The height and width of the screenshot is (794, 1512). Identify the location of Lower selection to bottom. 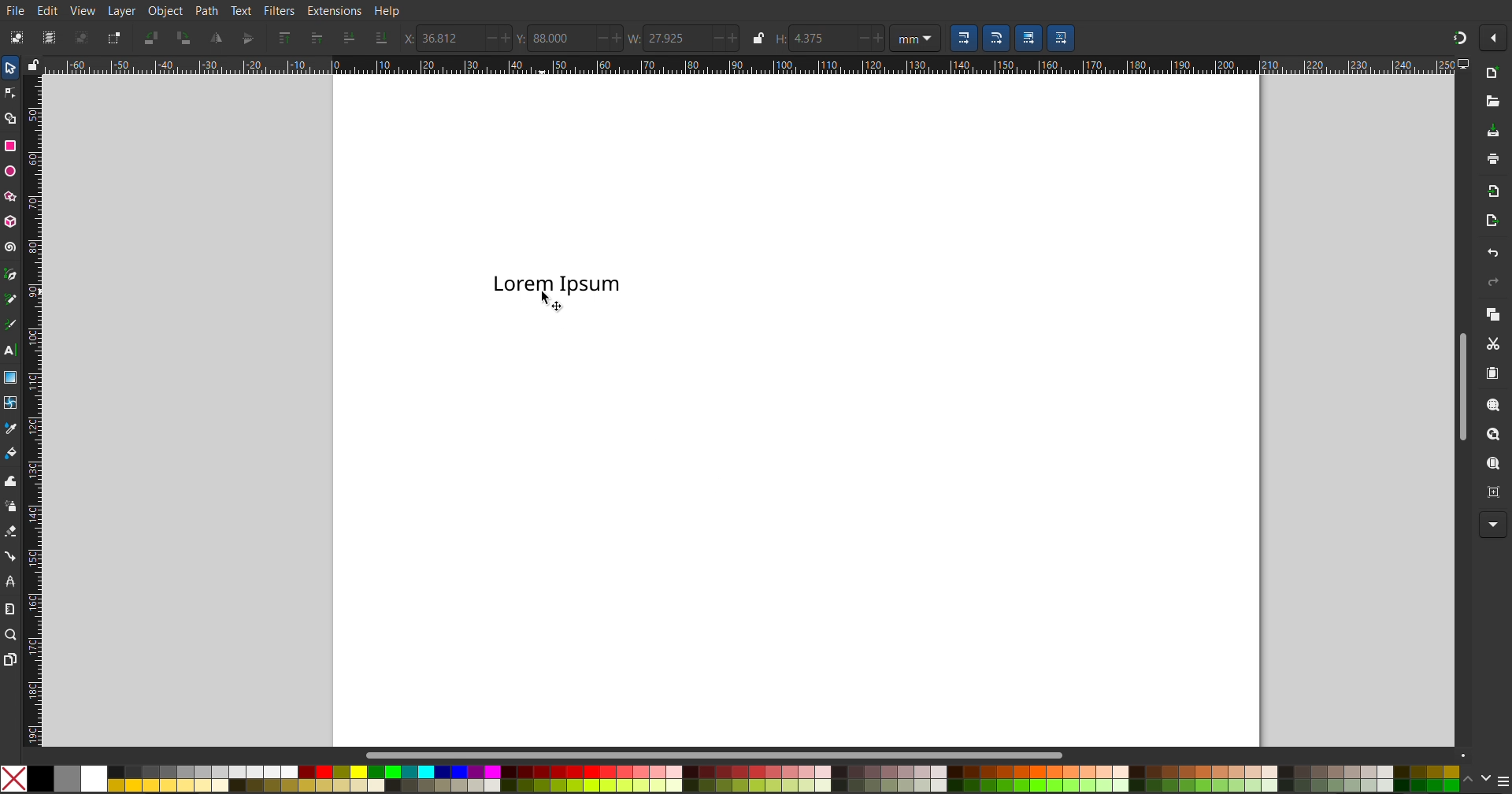
(380, 39).